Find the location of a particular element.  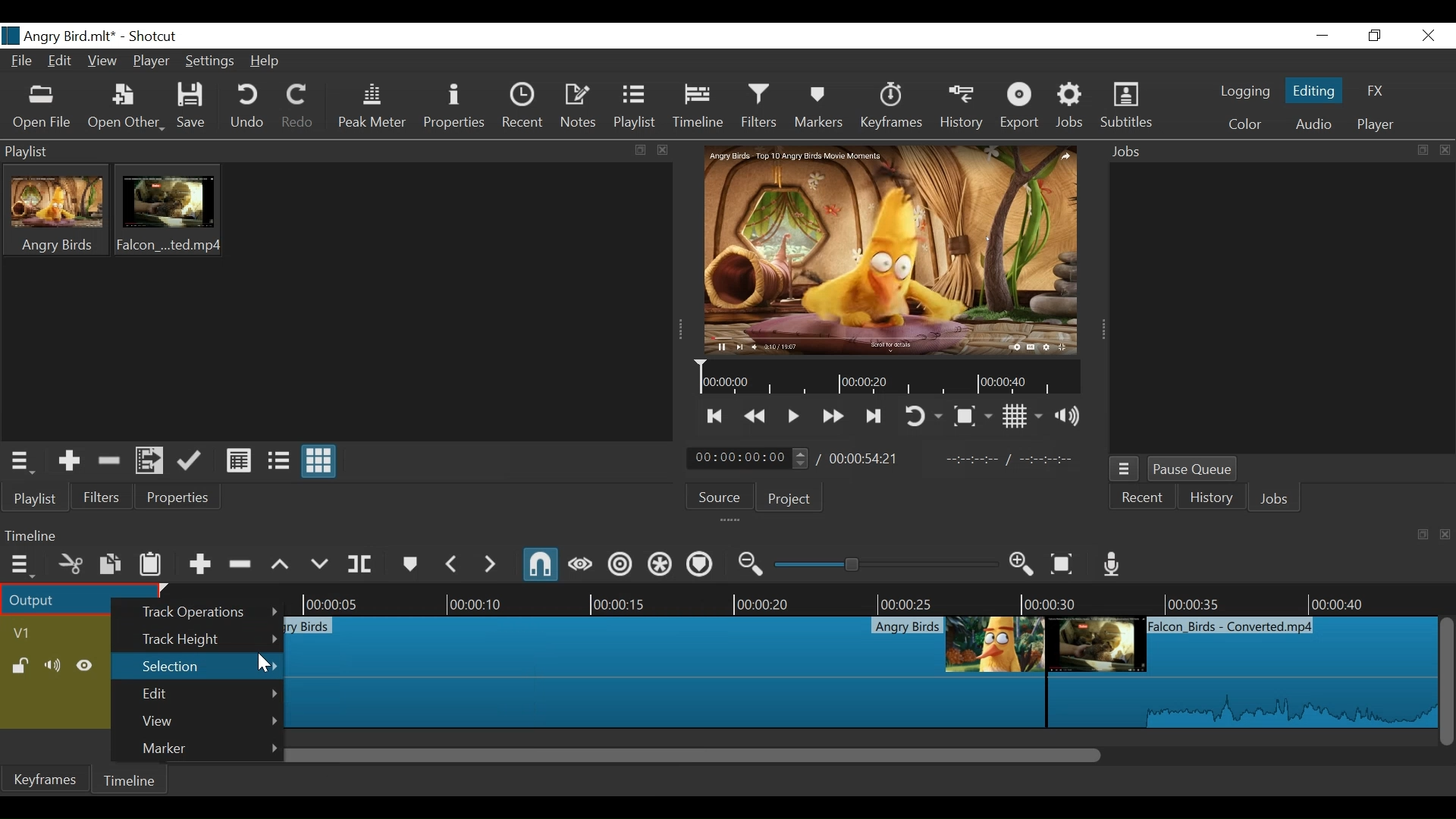

View is located at coordinates (103, 61).